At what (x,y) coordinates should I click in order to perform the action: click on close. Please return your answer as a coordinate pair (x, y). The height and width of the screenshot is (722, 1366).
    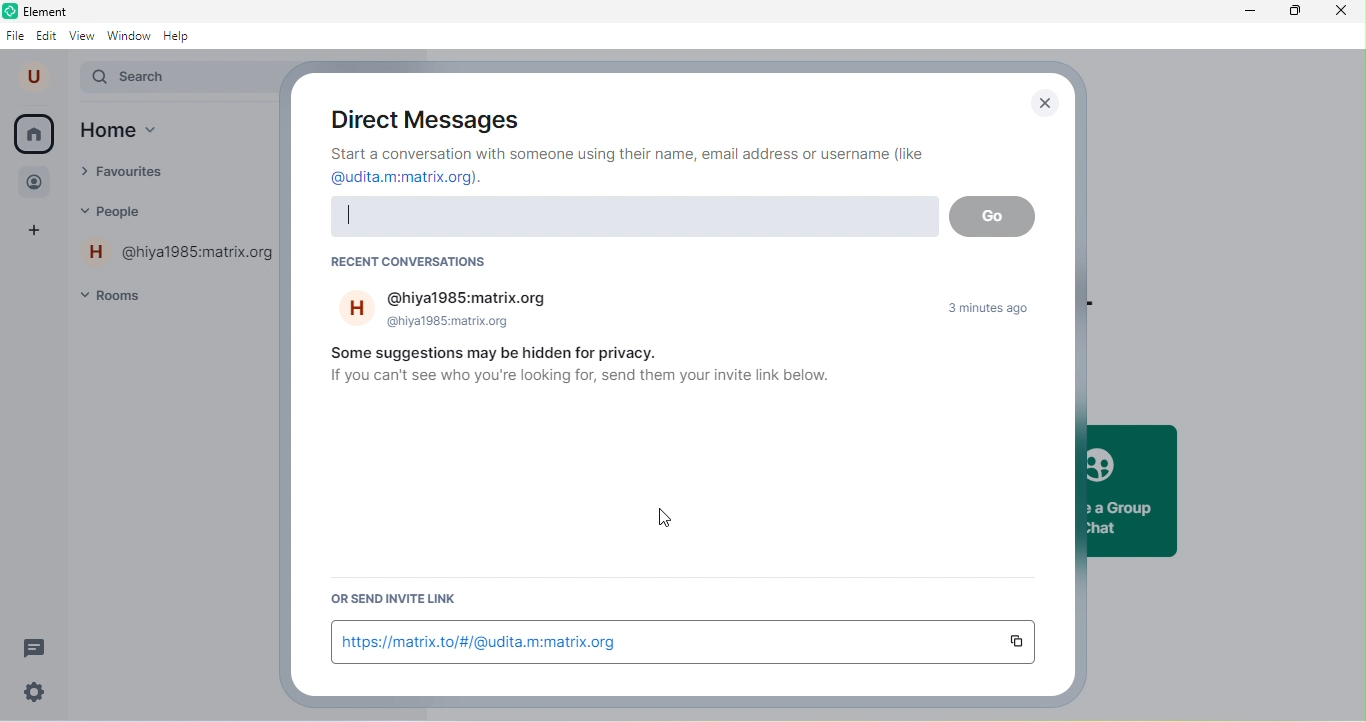
    Looking at the image, I should click on (1341, 13).